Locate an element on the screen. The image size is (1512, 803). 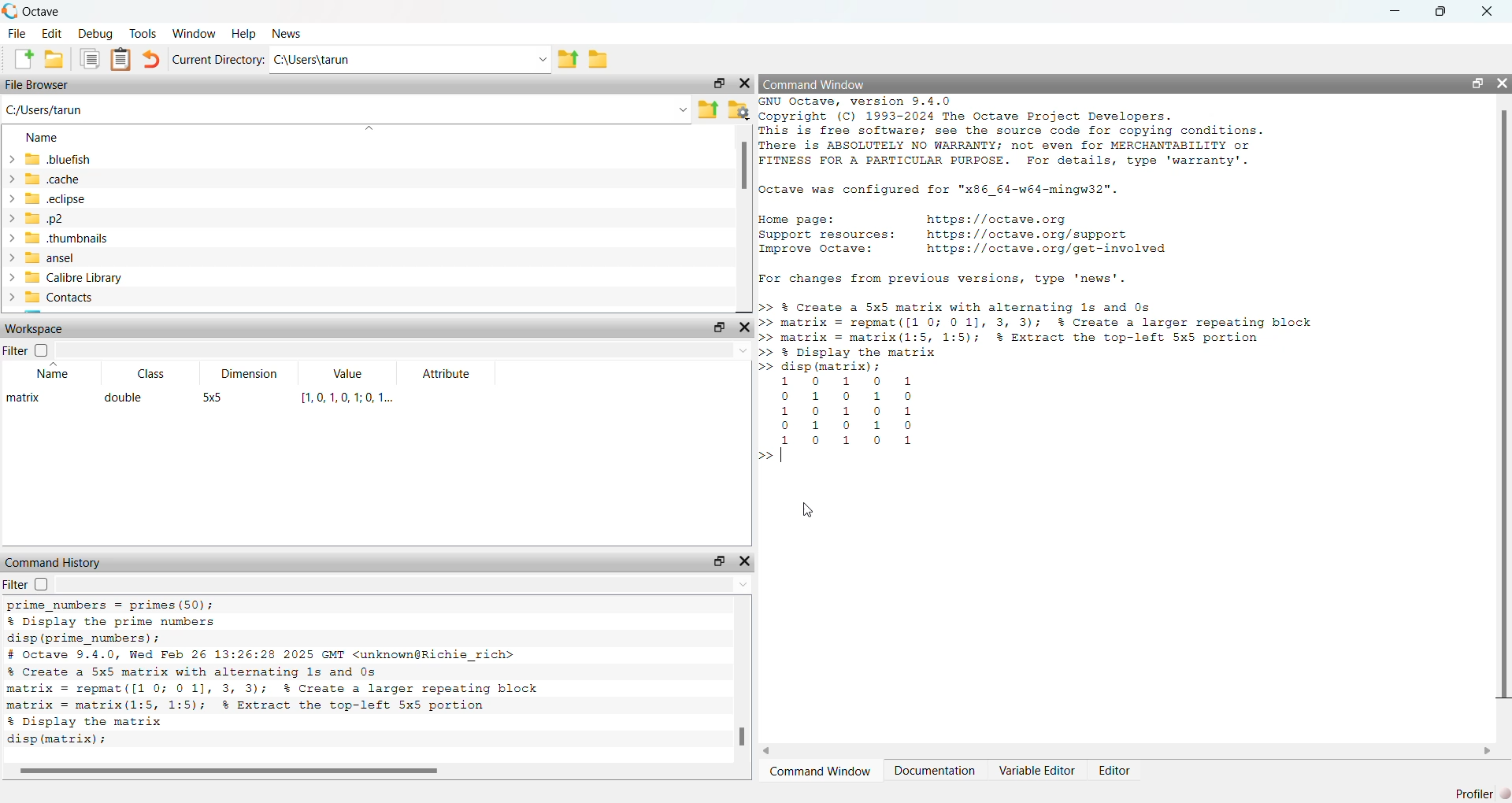
Octave was configured for "x86_64-w64-mingw32". is located at coordinates (943, 191).